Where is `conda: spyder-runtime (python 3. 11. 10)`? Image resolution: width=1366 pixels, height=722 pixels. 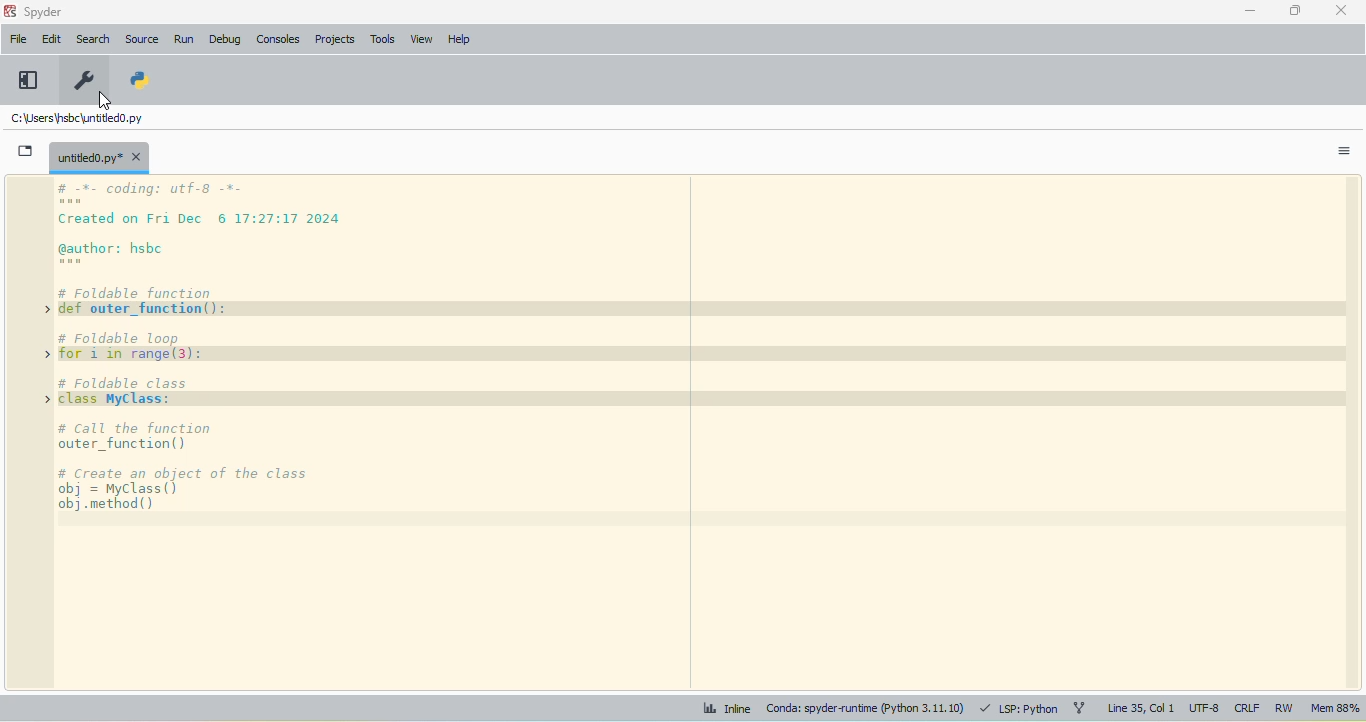
conda: spyder-runtime (python 3. 11. 10) is located at coordinates (864, 710).